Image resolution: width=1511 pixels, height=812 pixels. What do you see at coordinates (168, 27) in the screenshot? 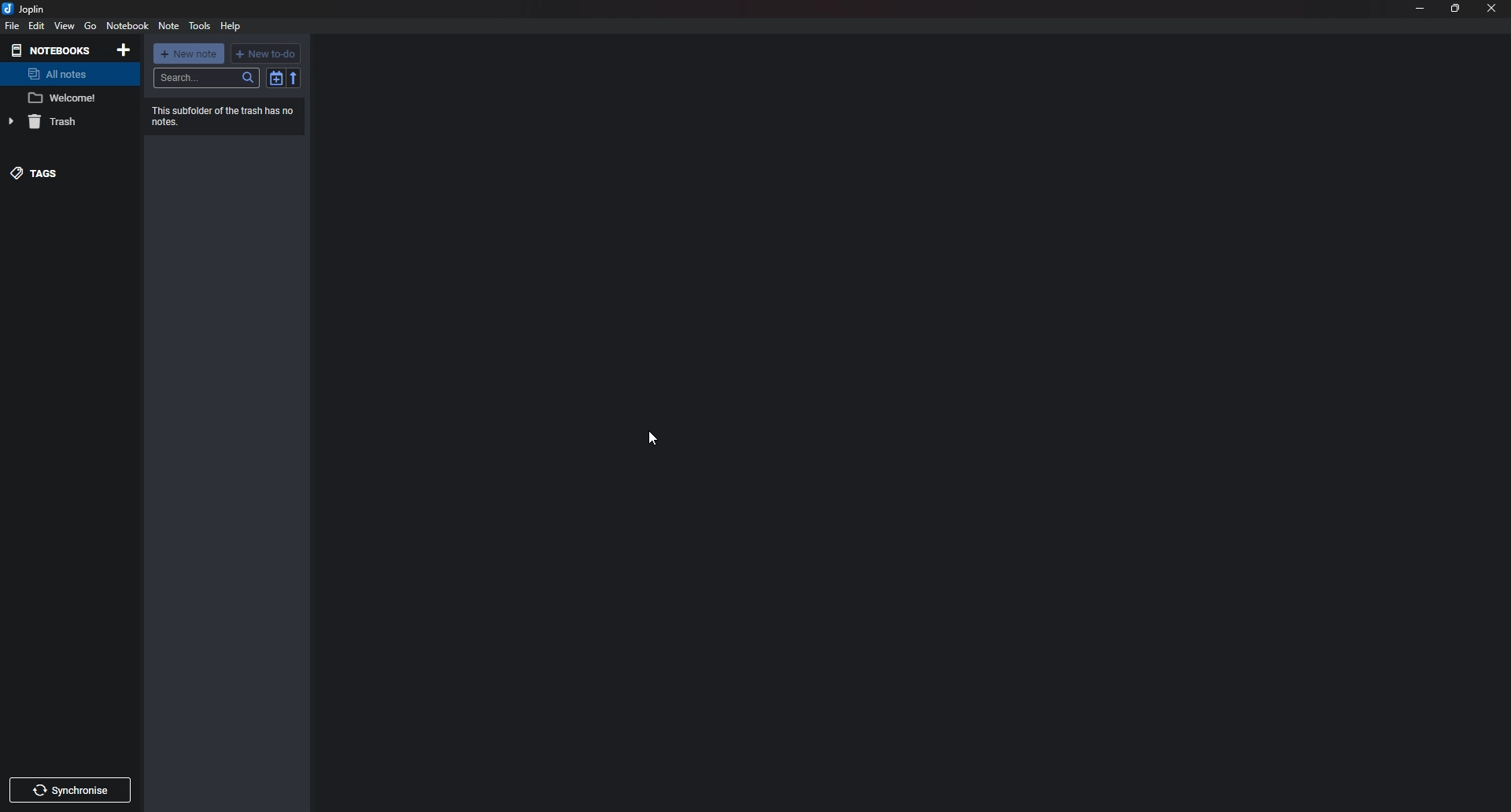
I see `note` at bounding box center [168, 27].